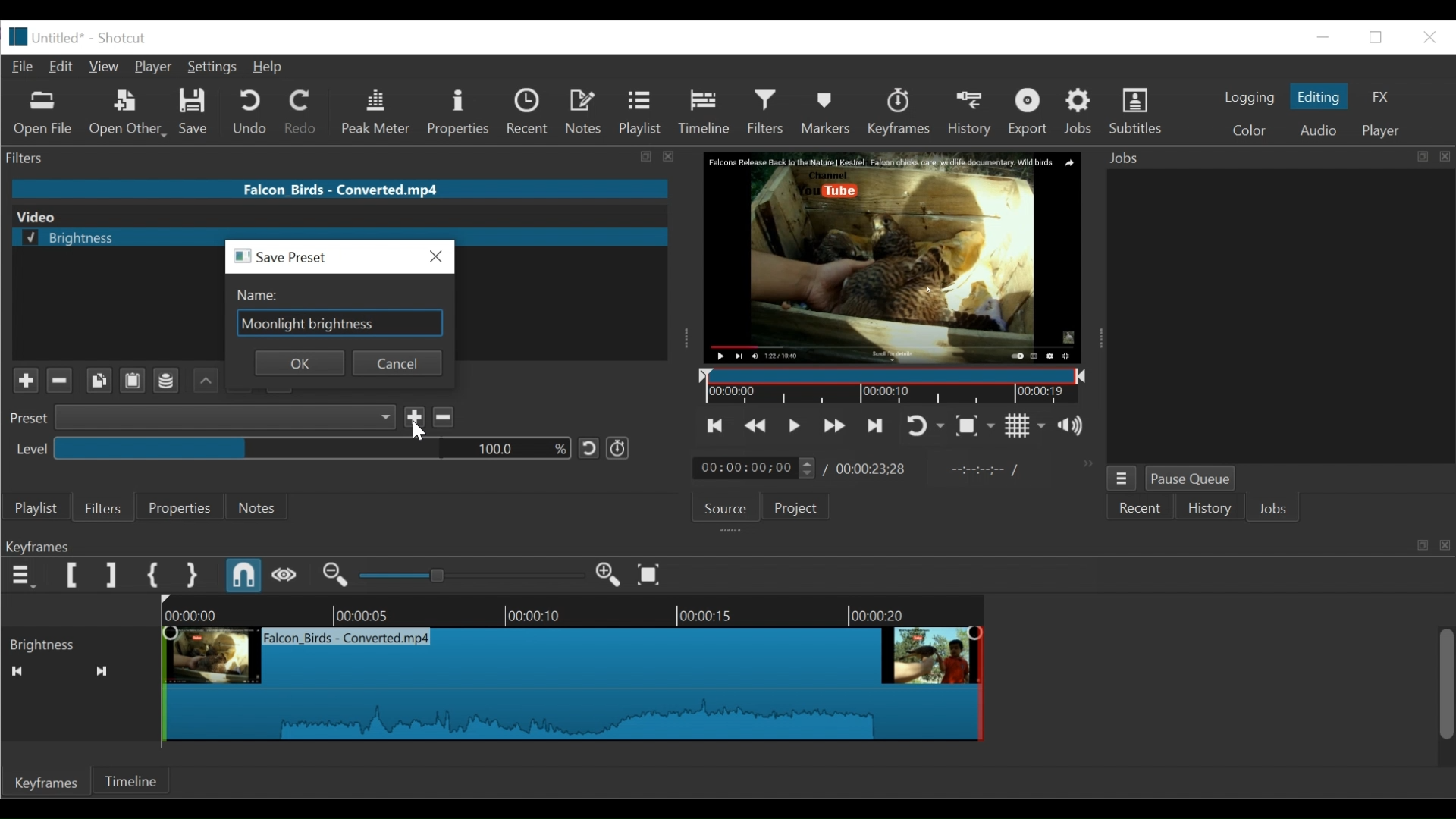 The image size is (1456, 819). Describe the element at coordinates (754, 425) in the screenshot. I see `Play backward quickly` at that location.